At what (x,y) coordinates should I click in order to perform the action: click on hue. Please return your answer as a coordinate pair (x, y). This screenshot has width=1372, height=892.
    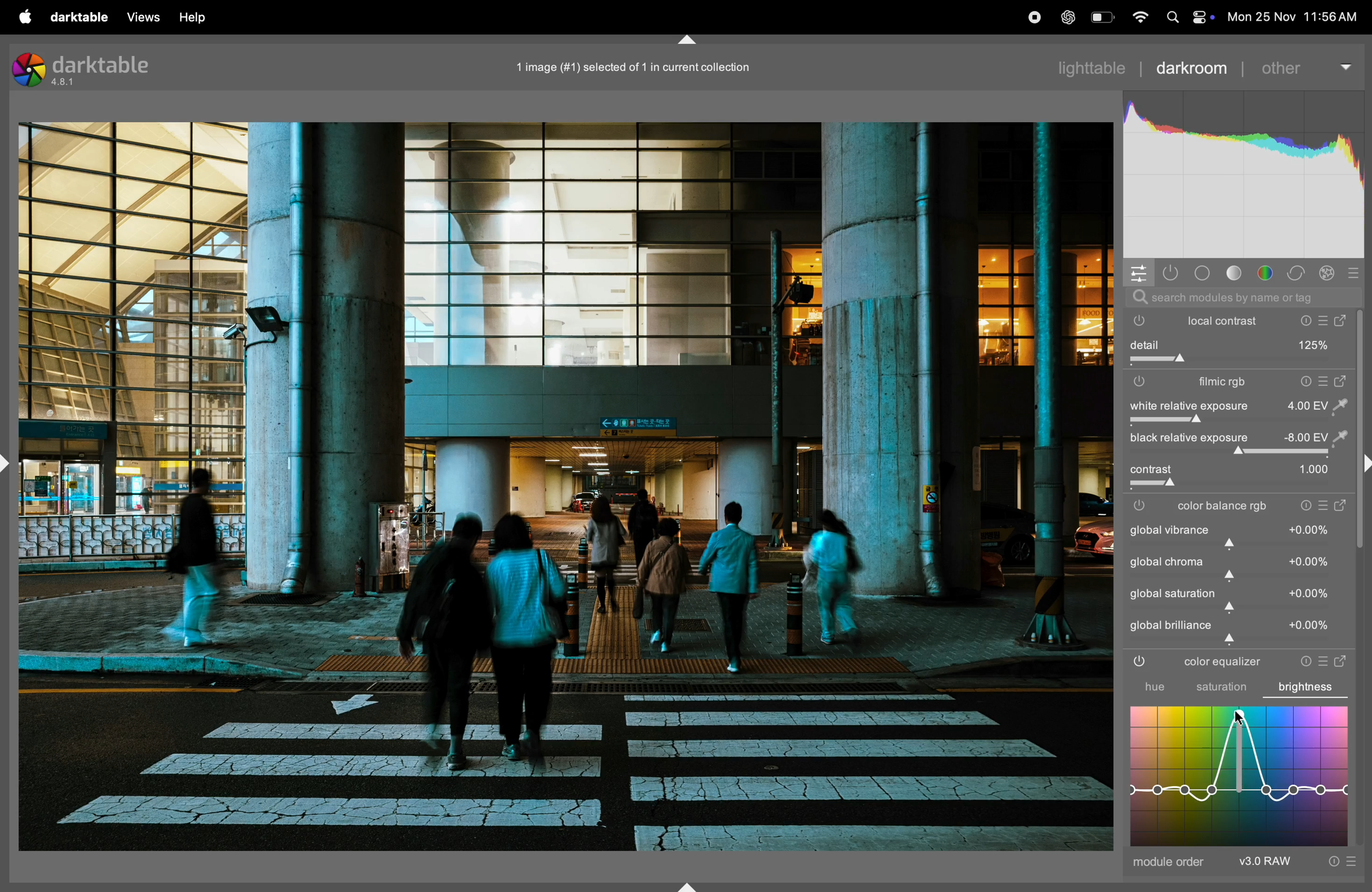
    Looking at the image, I should click on (1144, 687).